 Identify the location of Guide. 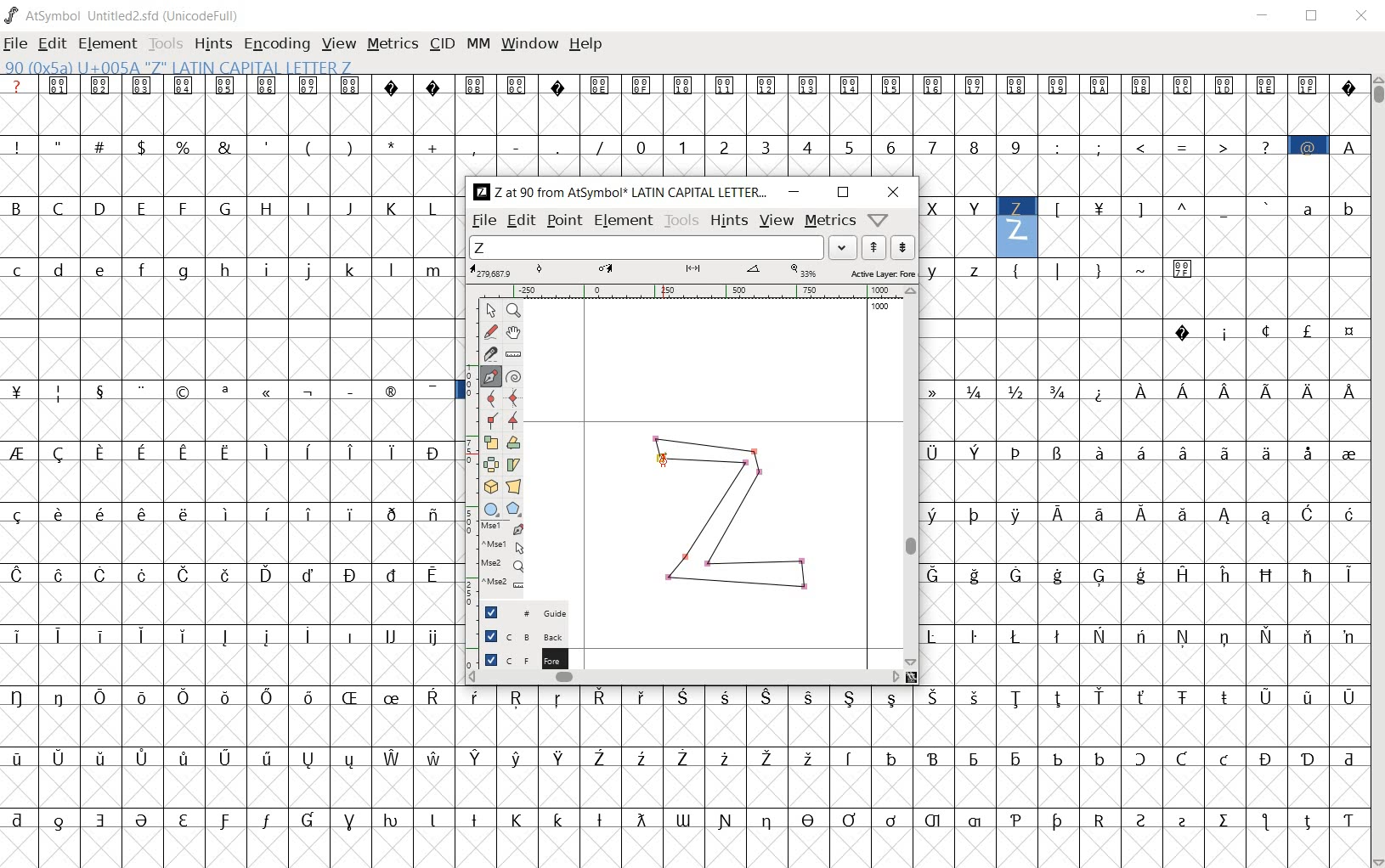
(517, 612).